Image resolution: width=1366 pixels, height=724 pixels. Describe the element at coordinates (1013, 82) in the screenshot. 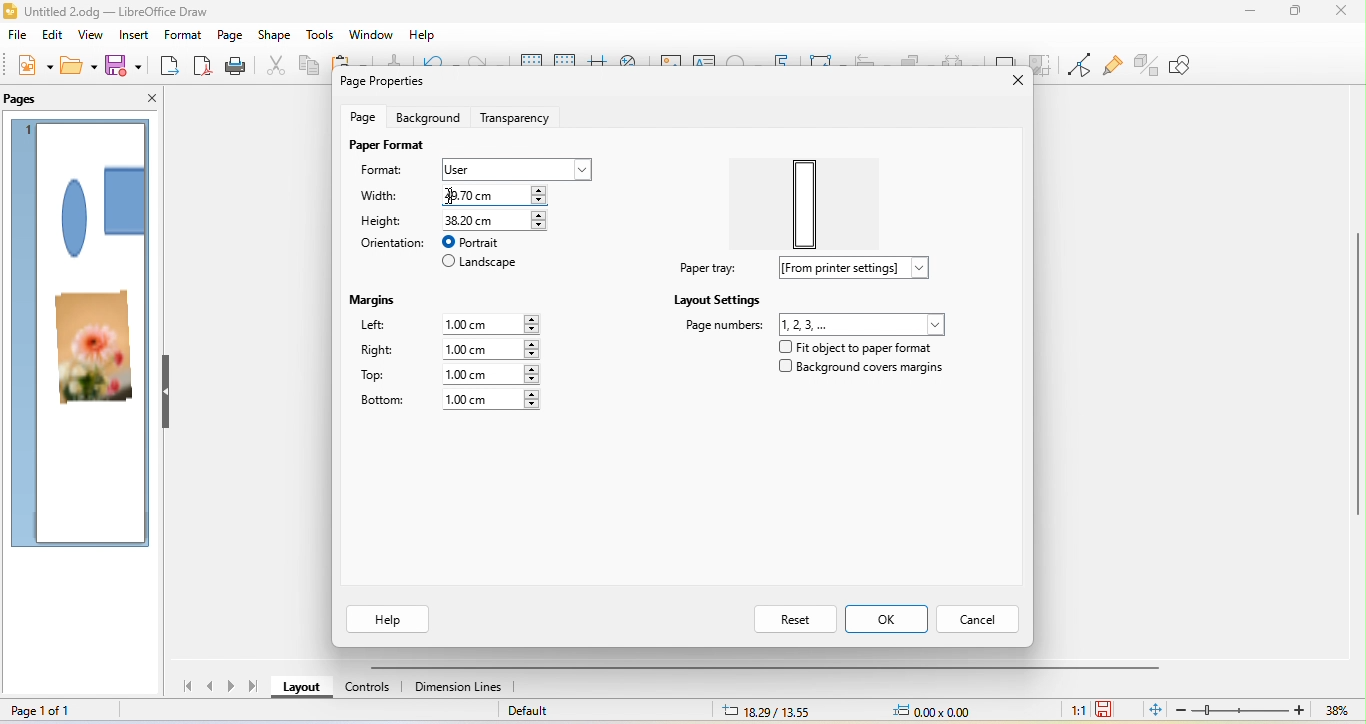

I see `close` at that location.